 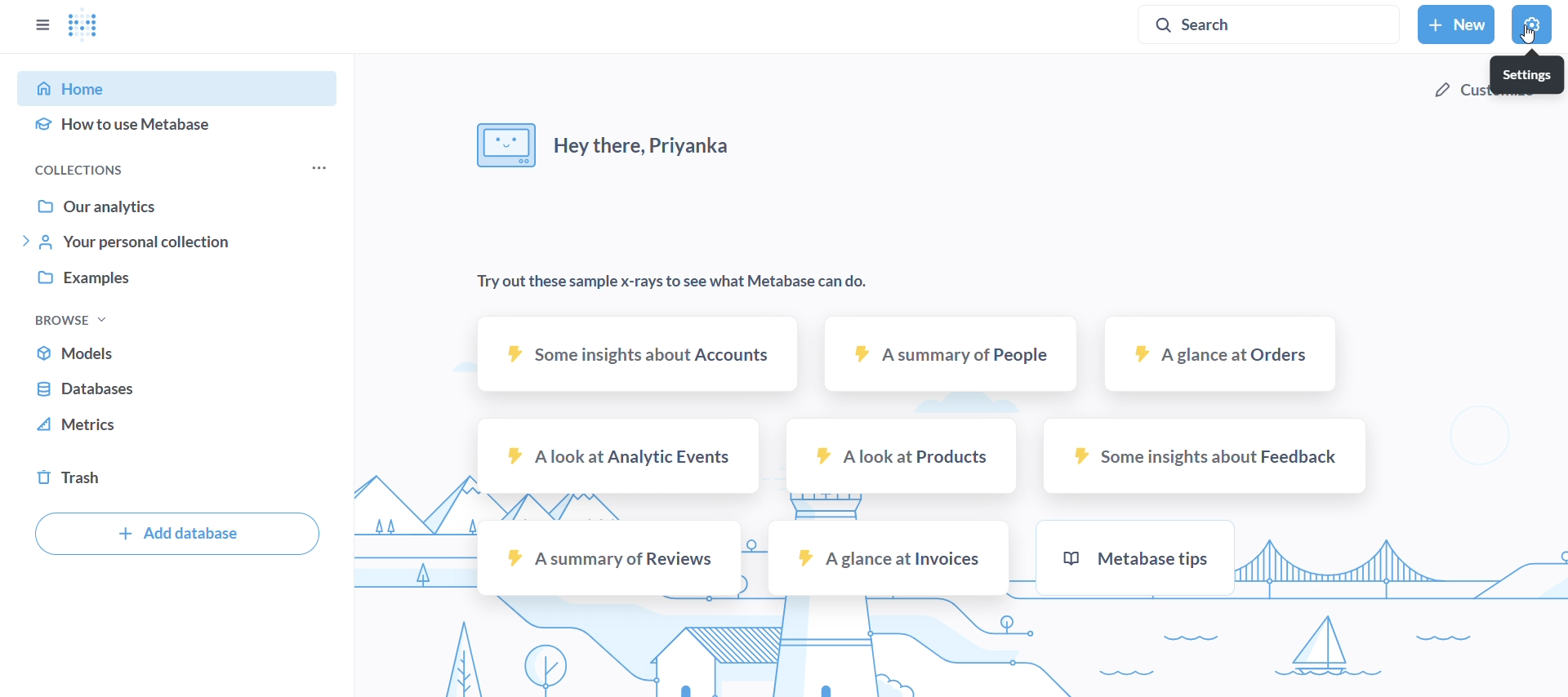 What do you see at coordinates (177, 478) in the screenshot?
I see `trash` at bounding box center [177, 478].